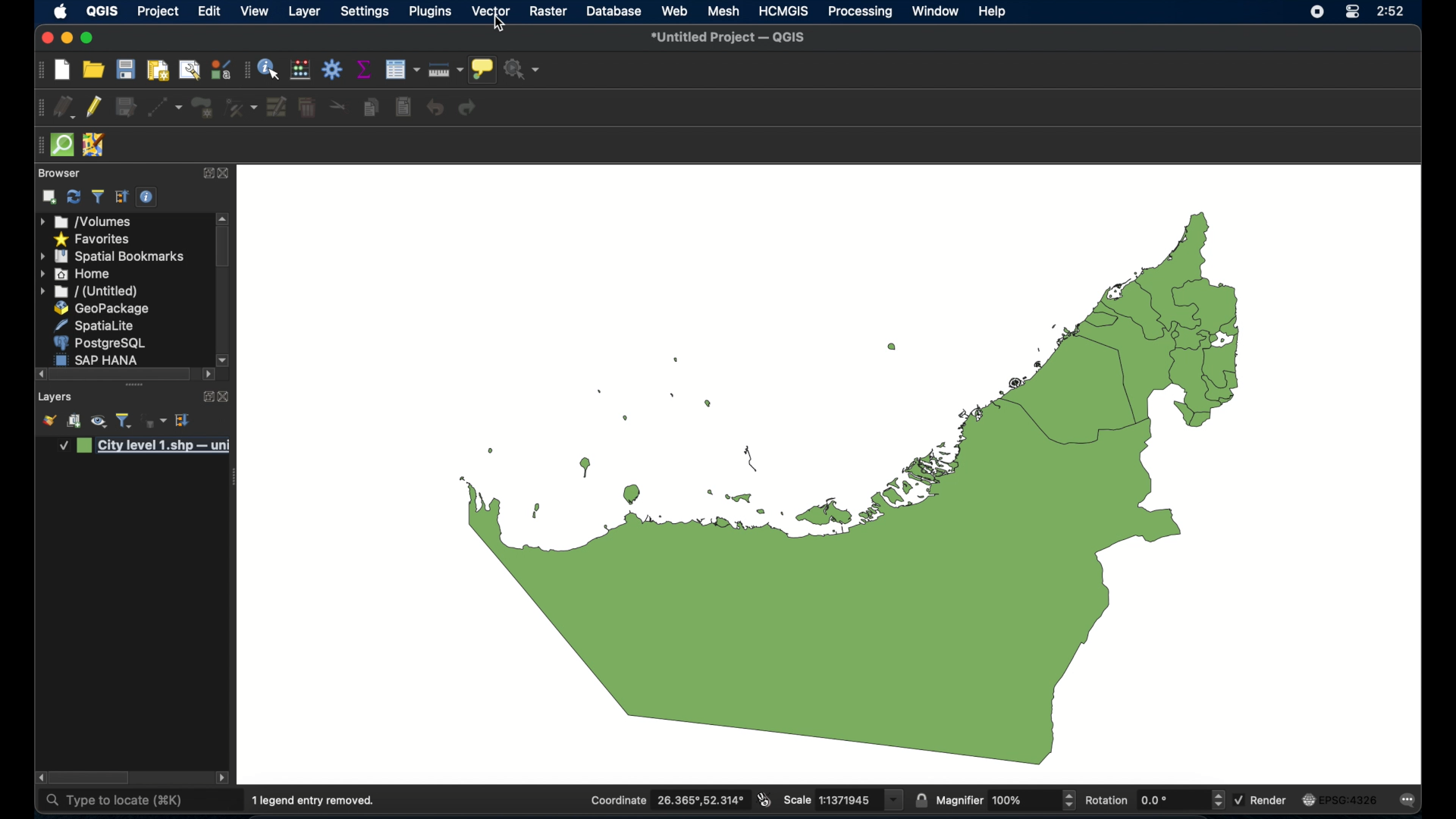 The height and width of the screenshot is (819, 1456). Describe the element at coordinates (506, 24) in the screenshot. I see `cursor` at that location.